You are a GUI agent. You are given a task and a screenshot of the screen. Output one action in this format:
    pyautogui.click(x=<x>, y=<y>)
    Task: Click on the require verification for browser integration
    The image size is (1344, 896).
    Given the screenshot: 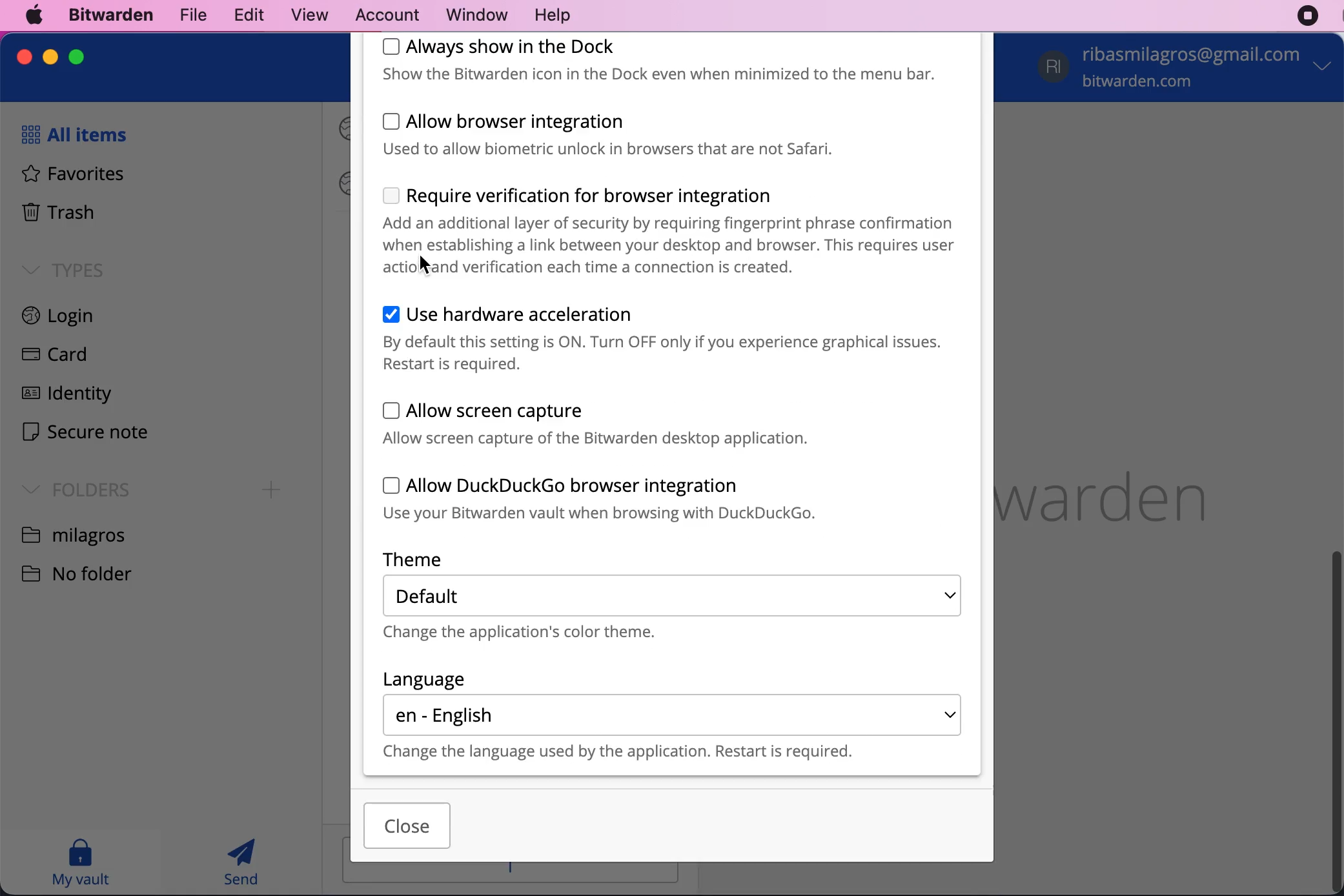 What is the action you would take?
    pyautogui.click(x=671, y=231)
    